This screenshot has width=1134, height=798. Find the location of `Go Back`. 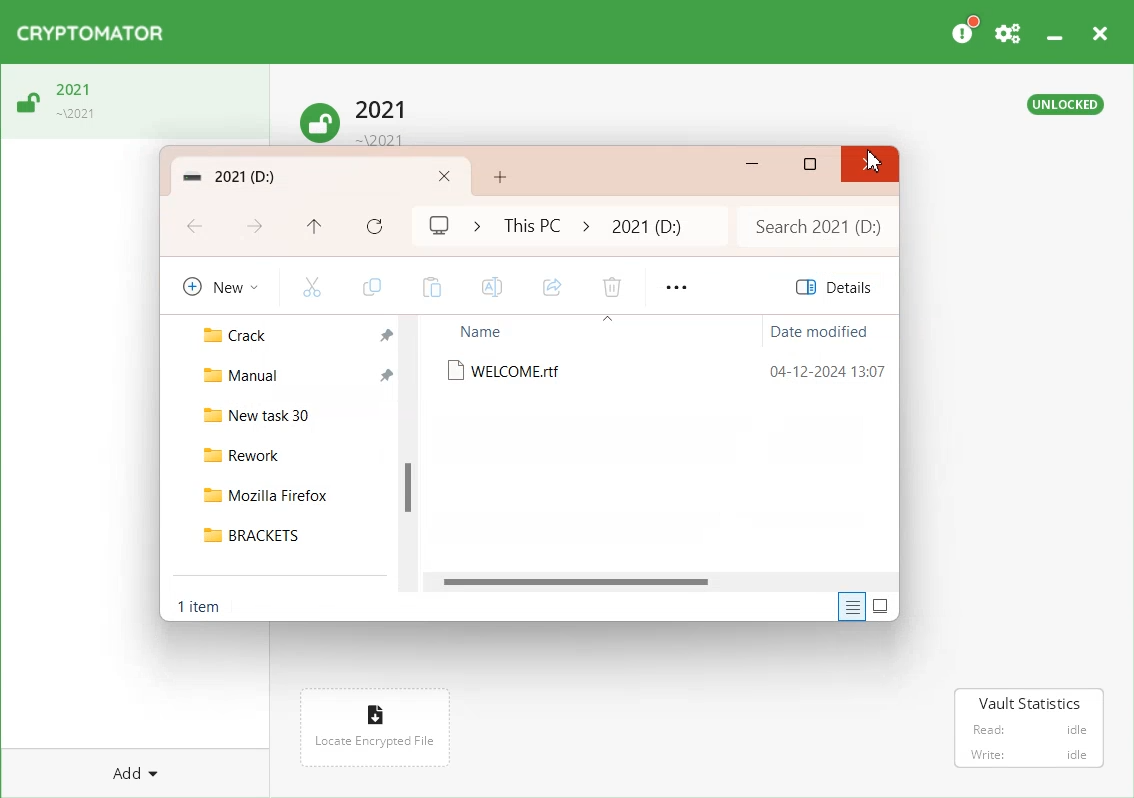

Go Back is located at coordinates (196, 228).